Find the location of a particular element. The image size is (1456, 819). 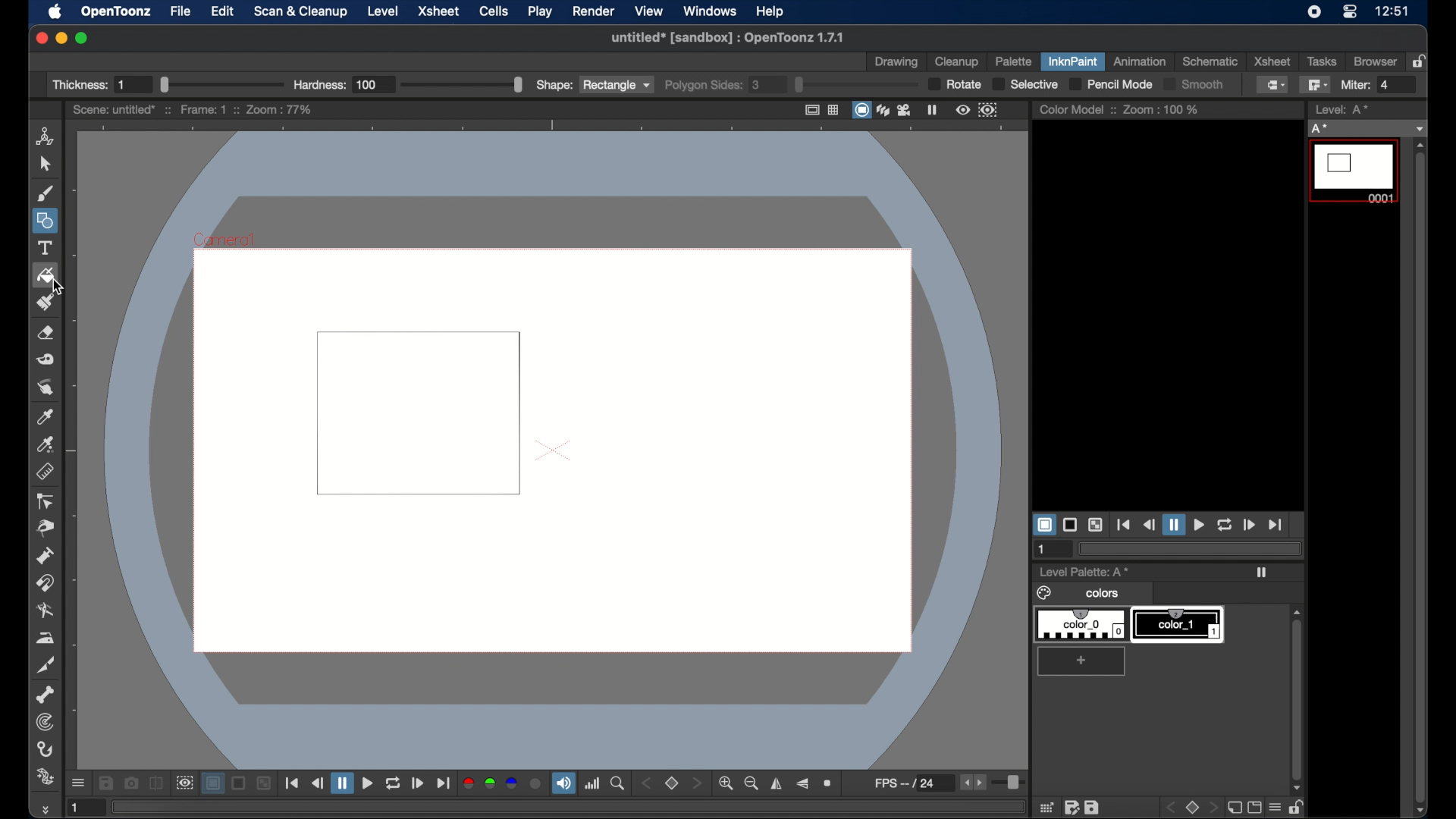

checkered background is located at coordinates (263, 783).